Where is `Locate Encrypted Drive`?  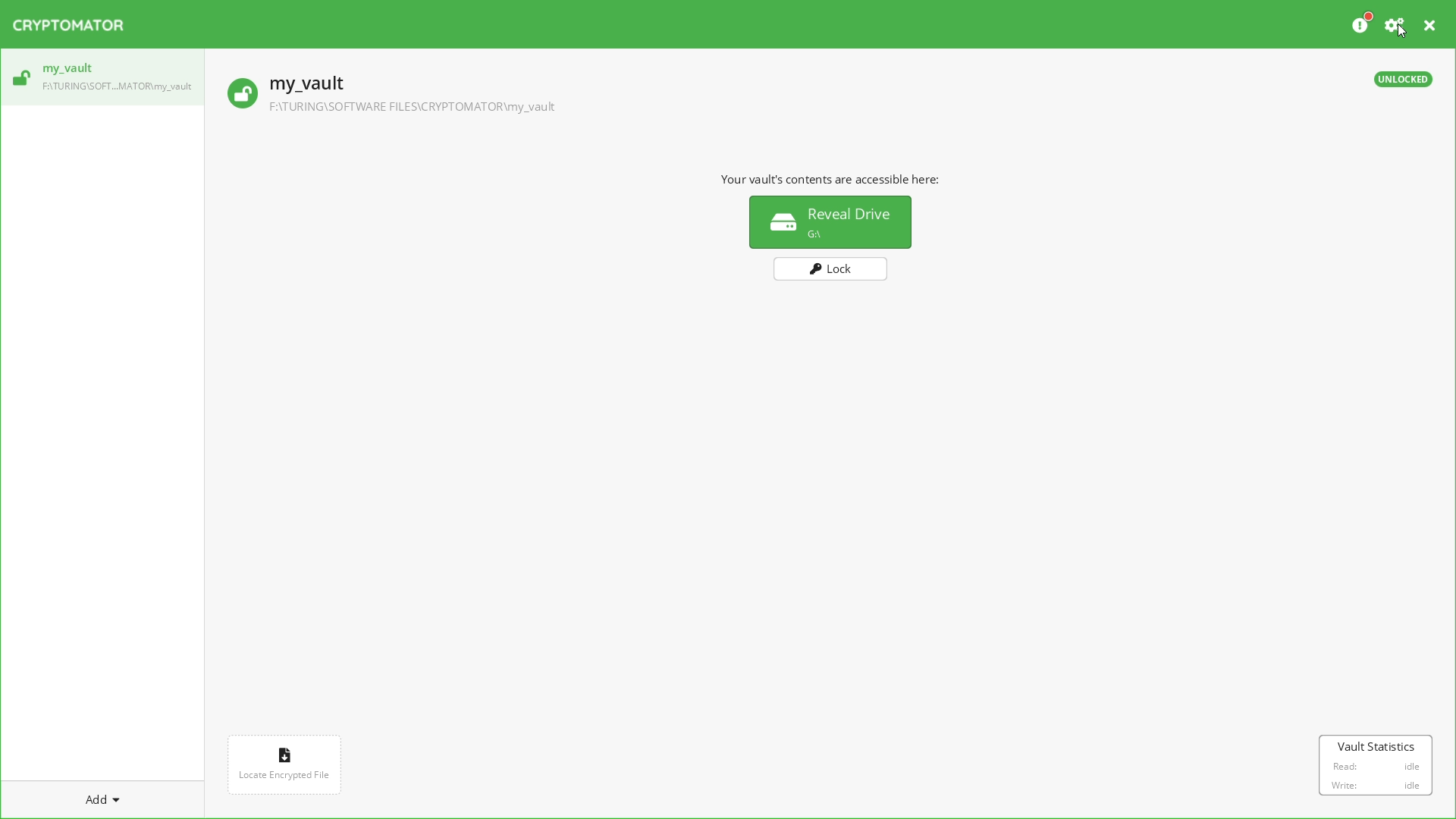
Locate Encrypted Drive is located at coordinates (284, 759).